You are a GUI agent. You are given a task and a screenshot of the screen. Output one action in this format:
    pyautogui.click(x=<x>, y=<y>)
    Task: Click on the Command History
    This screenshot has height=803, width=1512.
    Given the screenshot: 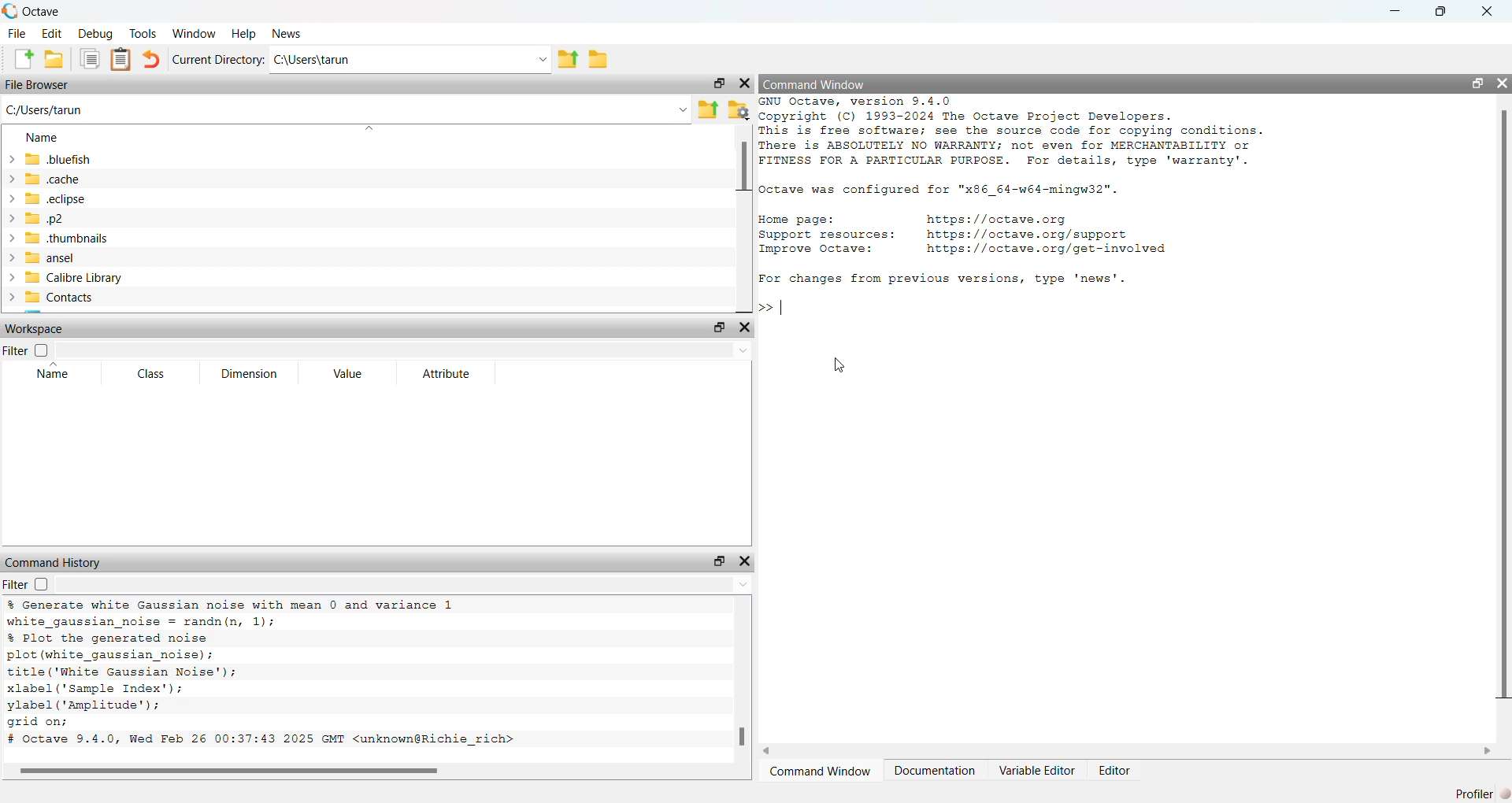 What is the action you would take?
    pyautogui.click(x=57, y=561)
    